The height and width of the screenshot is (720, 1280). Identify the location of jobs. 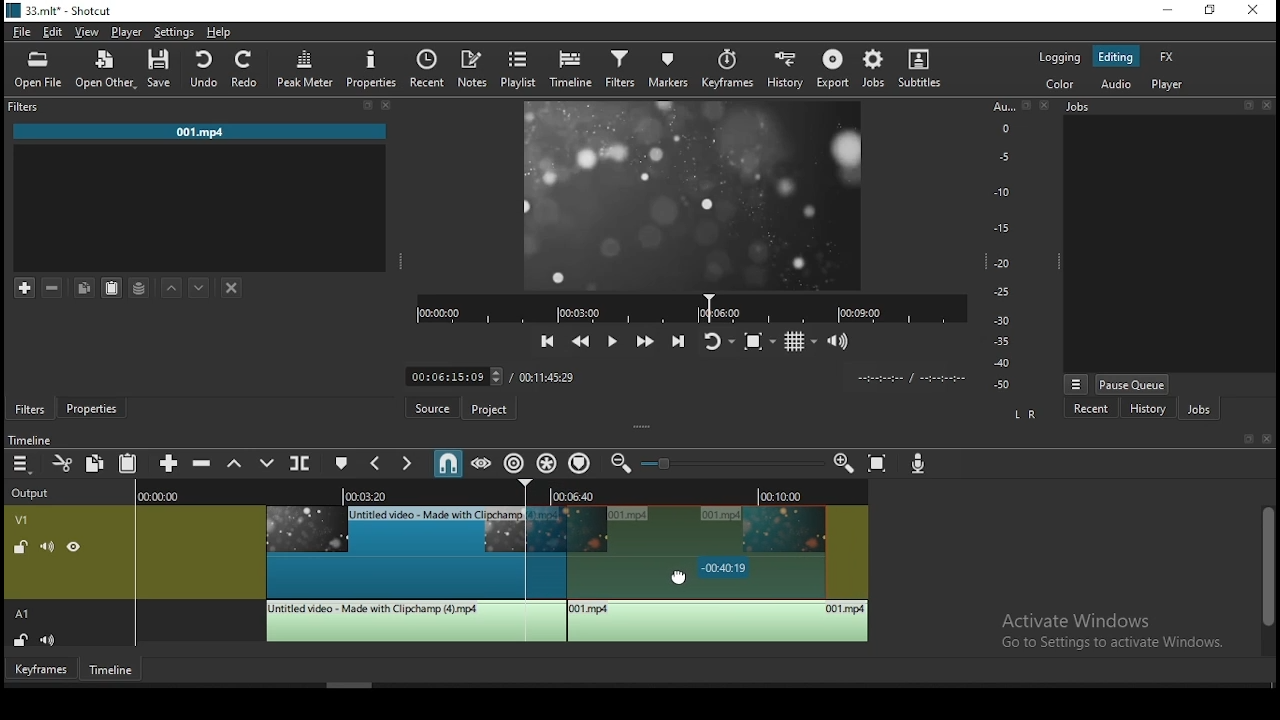
(1167, 107).